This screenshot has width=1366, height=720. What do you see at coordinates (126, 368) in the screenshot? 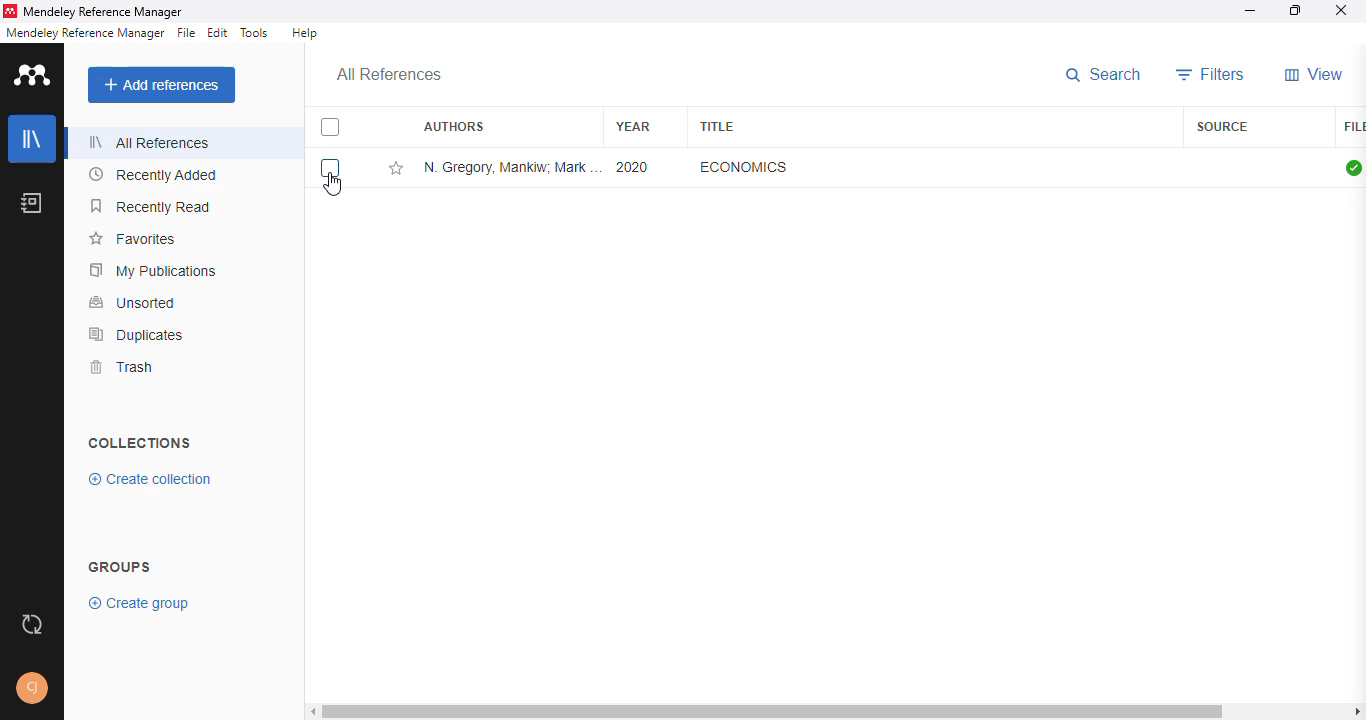
I see `trash` at bounding box center [126, 368].